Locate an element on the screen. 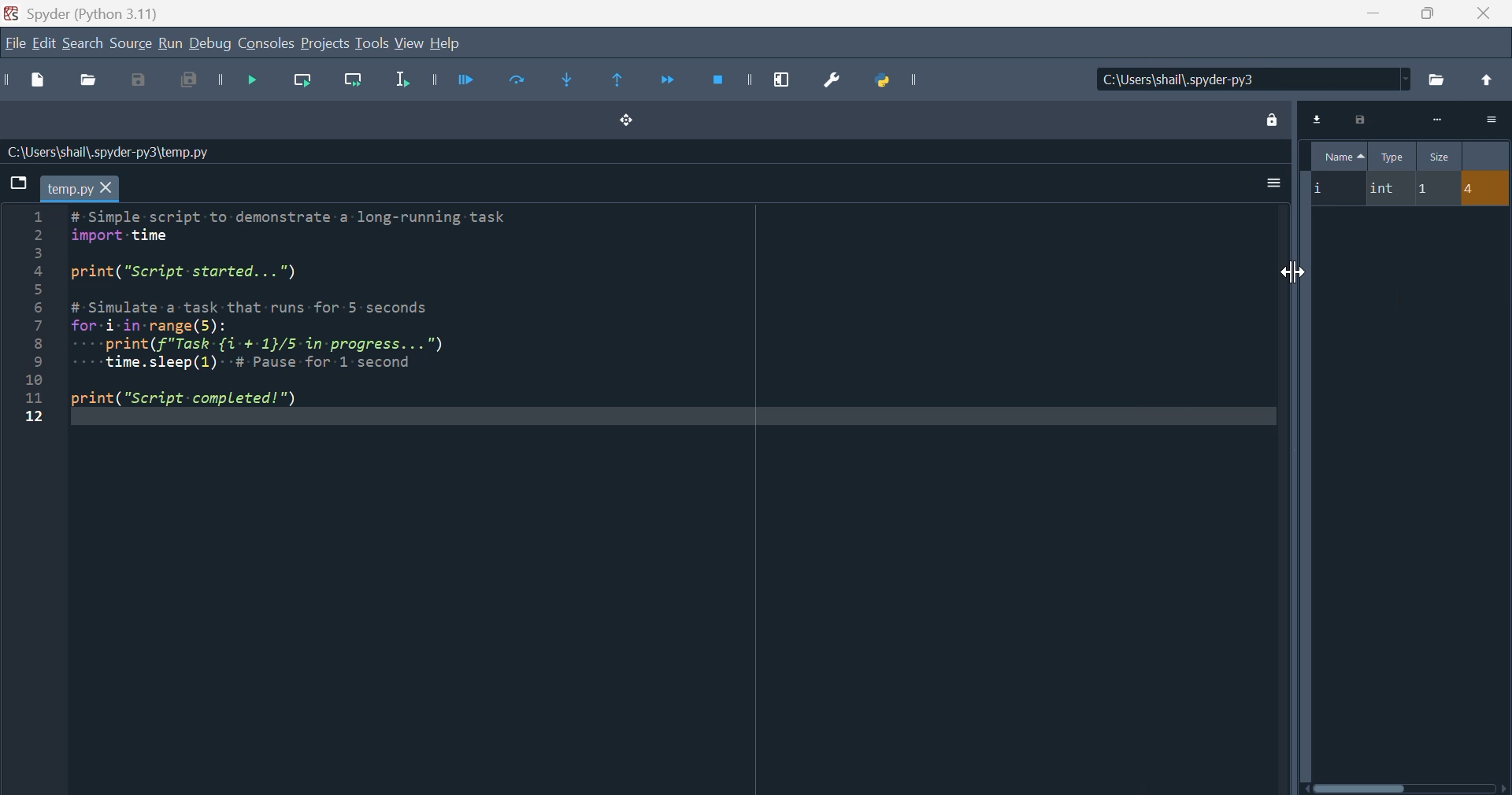  browse a working directory is located at coordinates (1437, 78).